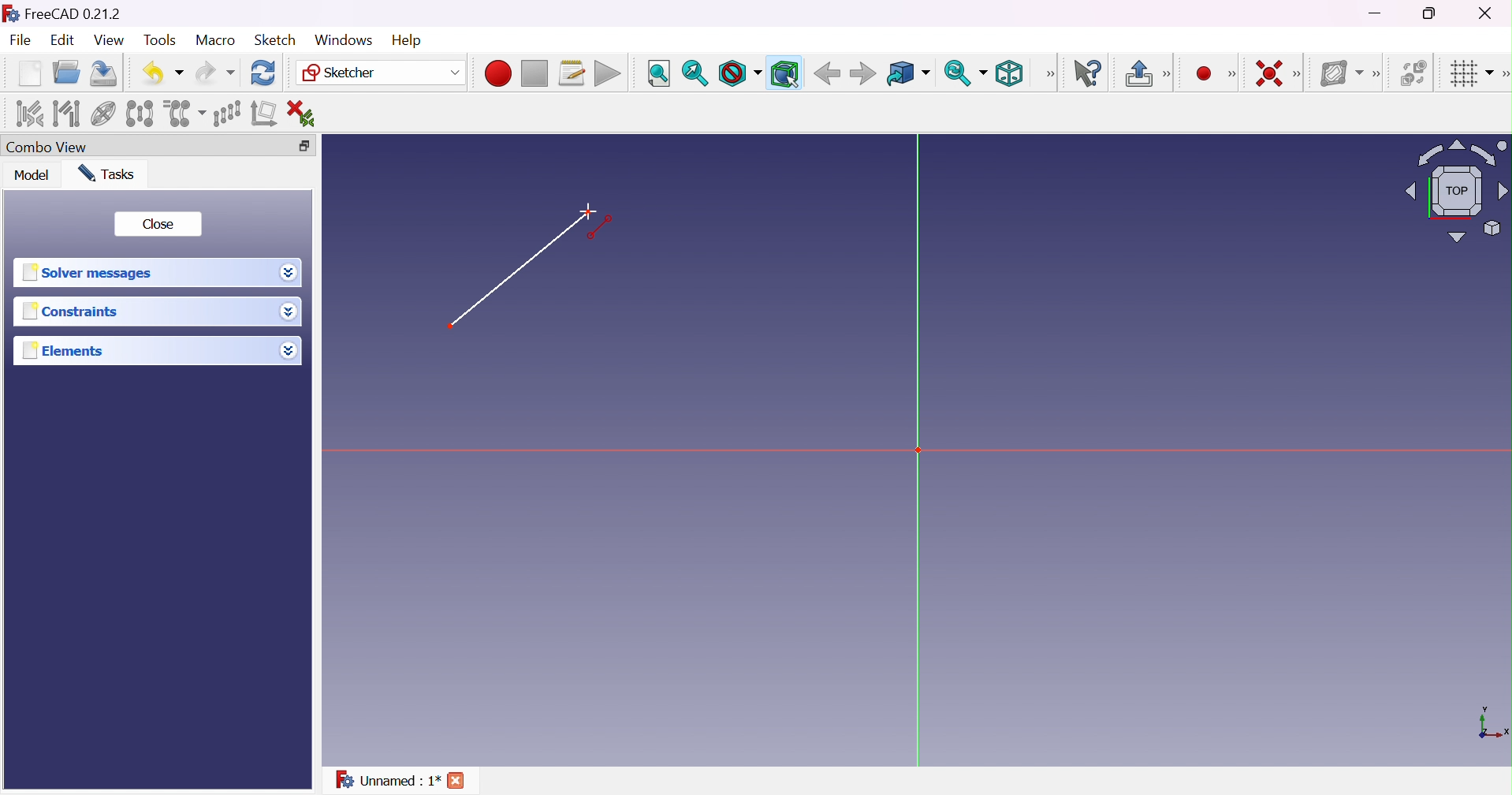 This screenshot has width=1512, height=795. What do you see at coordinates (289, 312) in the screenshot?
I see `Drop down` at bounding box center [289, 312].